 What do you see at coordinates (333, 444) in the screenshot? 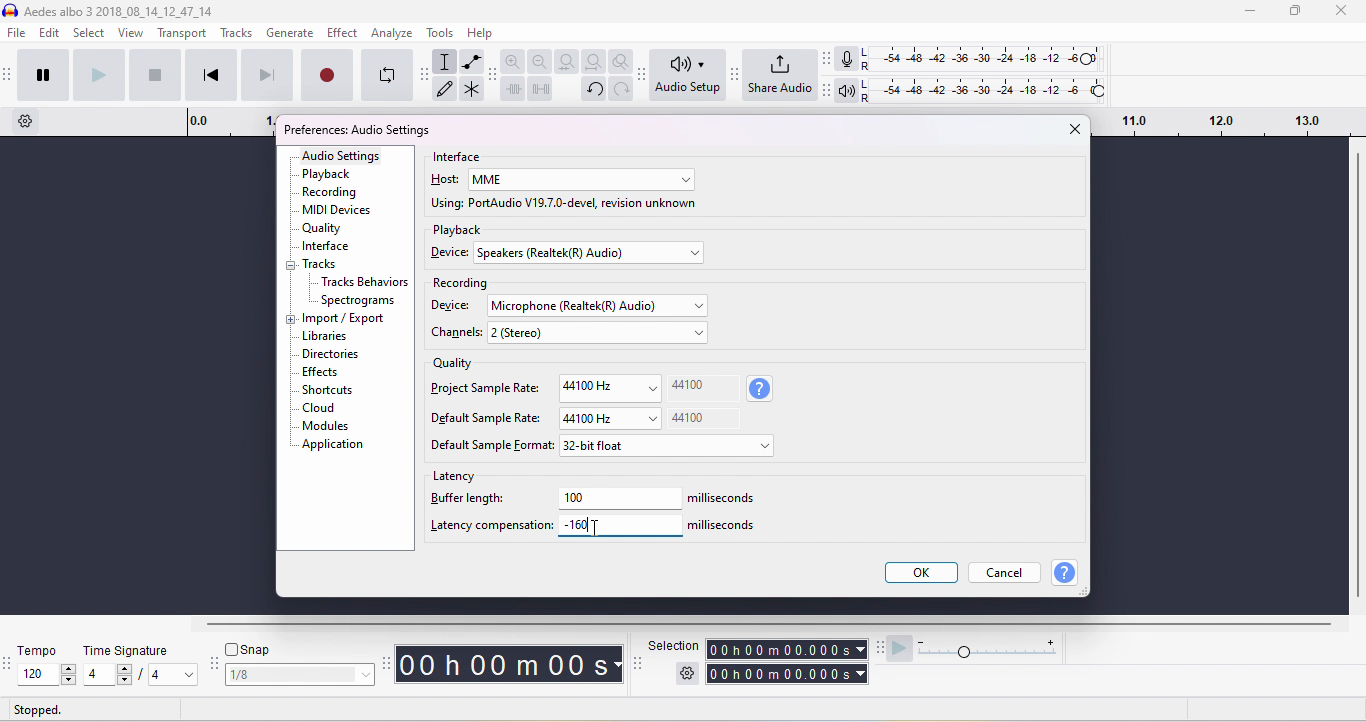
I see `application` at bounding box center [333, 444].